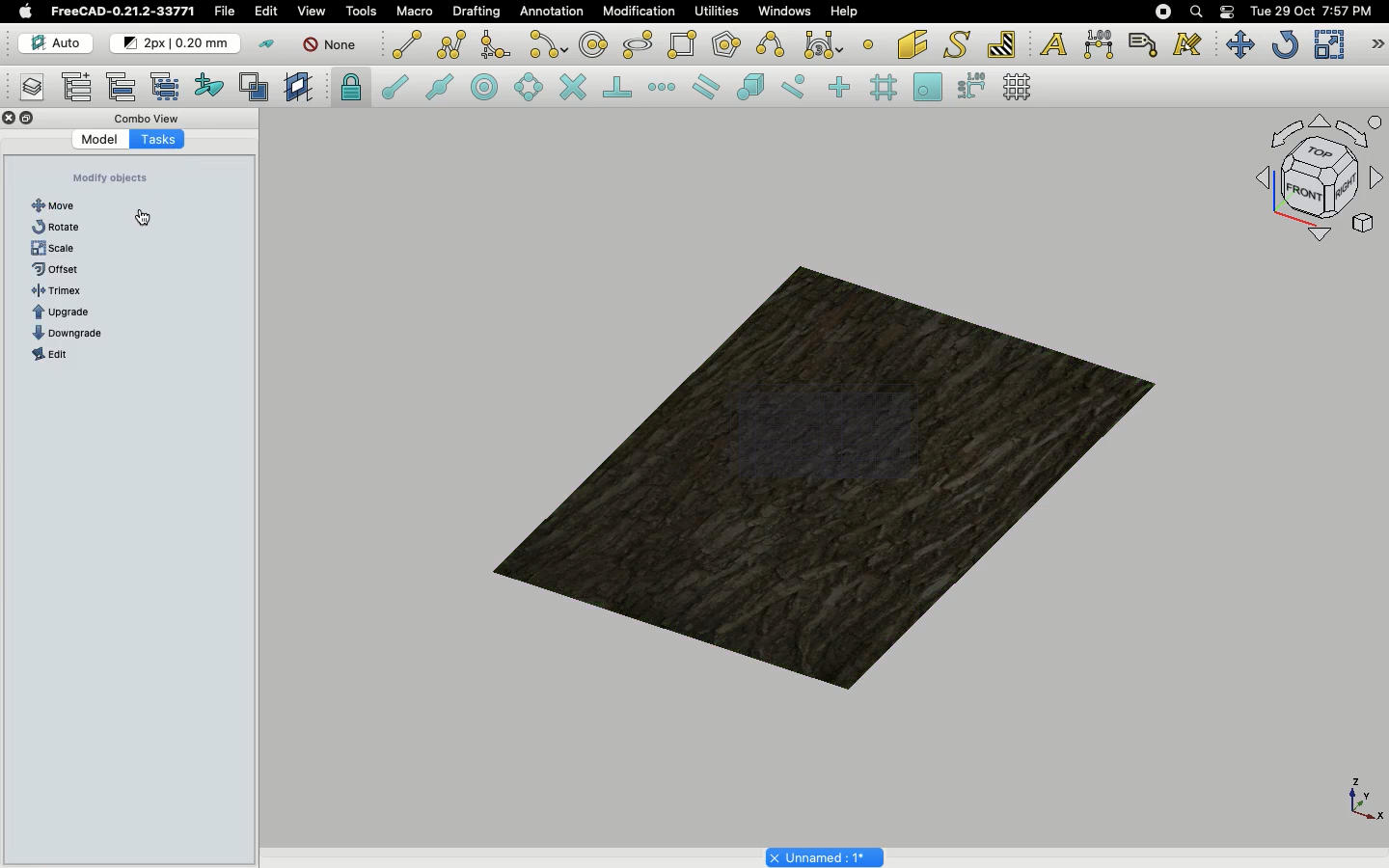 This screenshot has width=1389, height=868. Describe the element at coordinates (10, 120) in the screenshot. I see `Close` at that location.